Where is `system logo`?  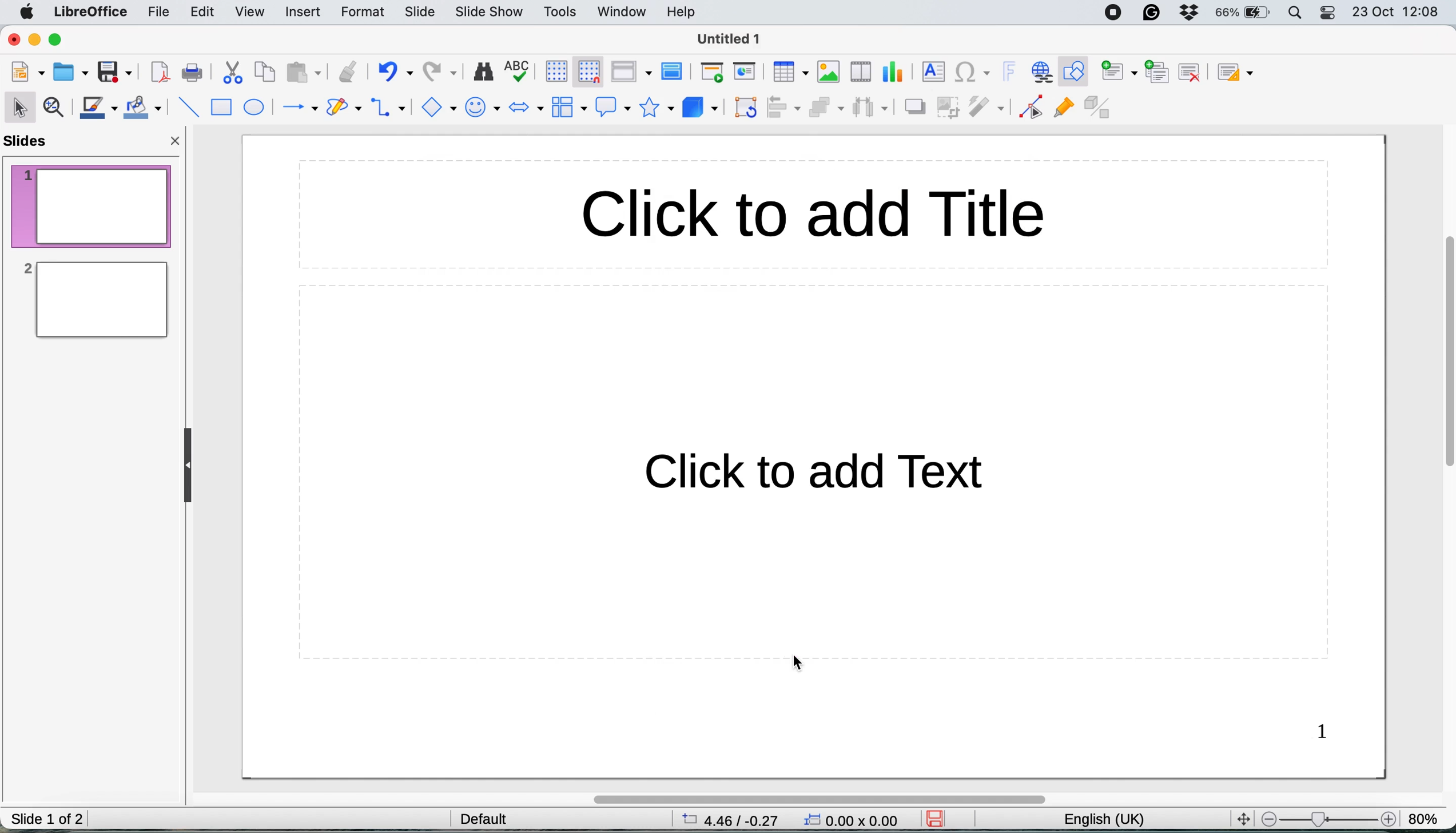 system logo is located at coordinates (29, 13).